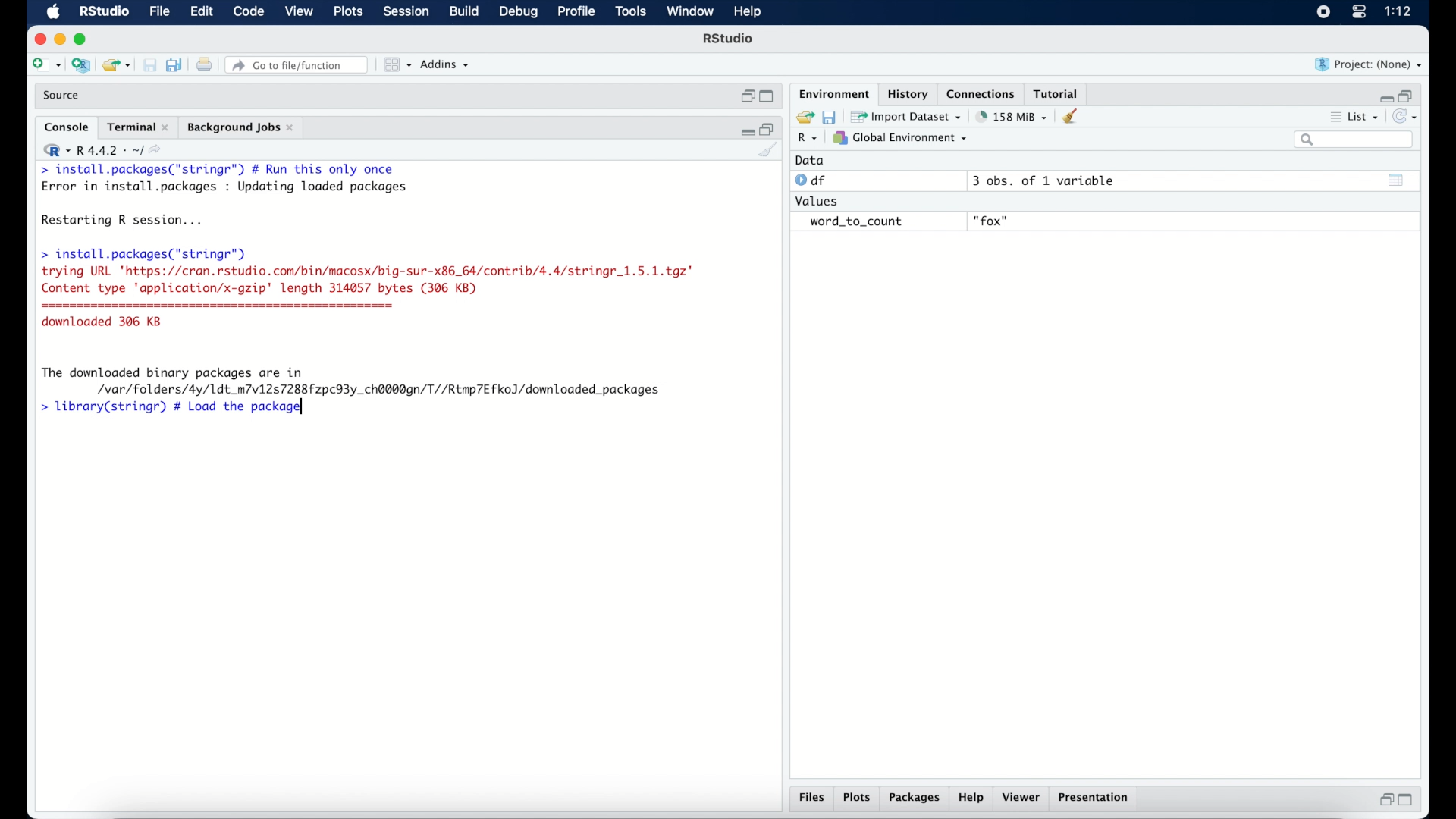 This screenshot has height=819, width=1456. Describe the element at coordinates (769, 97) in the screenshot. I see `maximize` at that location.